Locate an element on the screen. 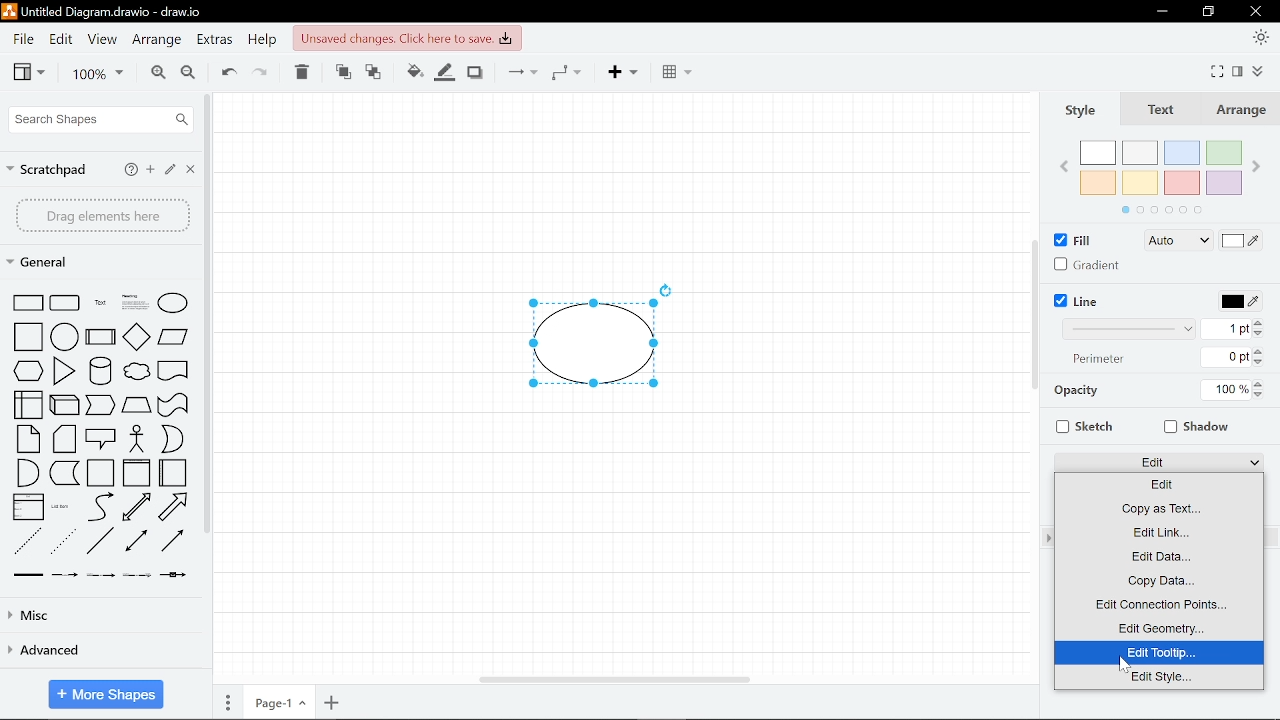 The height and width of the screenshot is (720, 1280). Line width is located at coordinates (1128, 329).